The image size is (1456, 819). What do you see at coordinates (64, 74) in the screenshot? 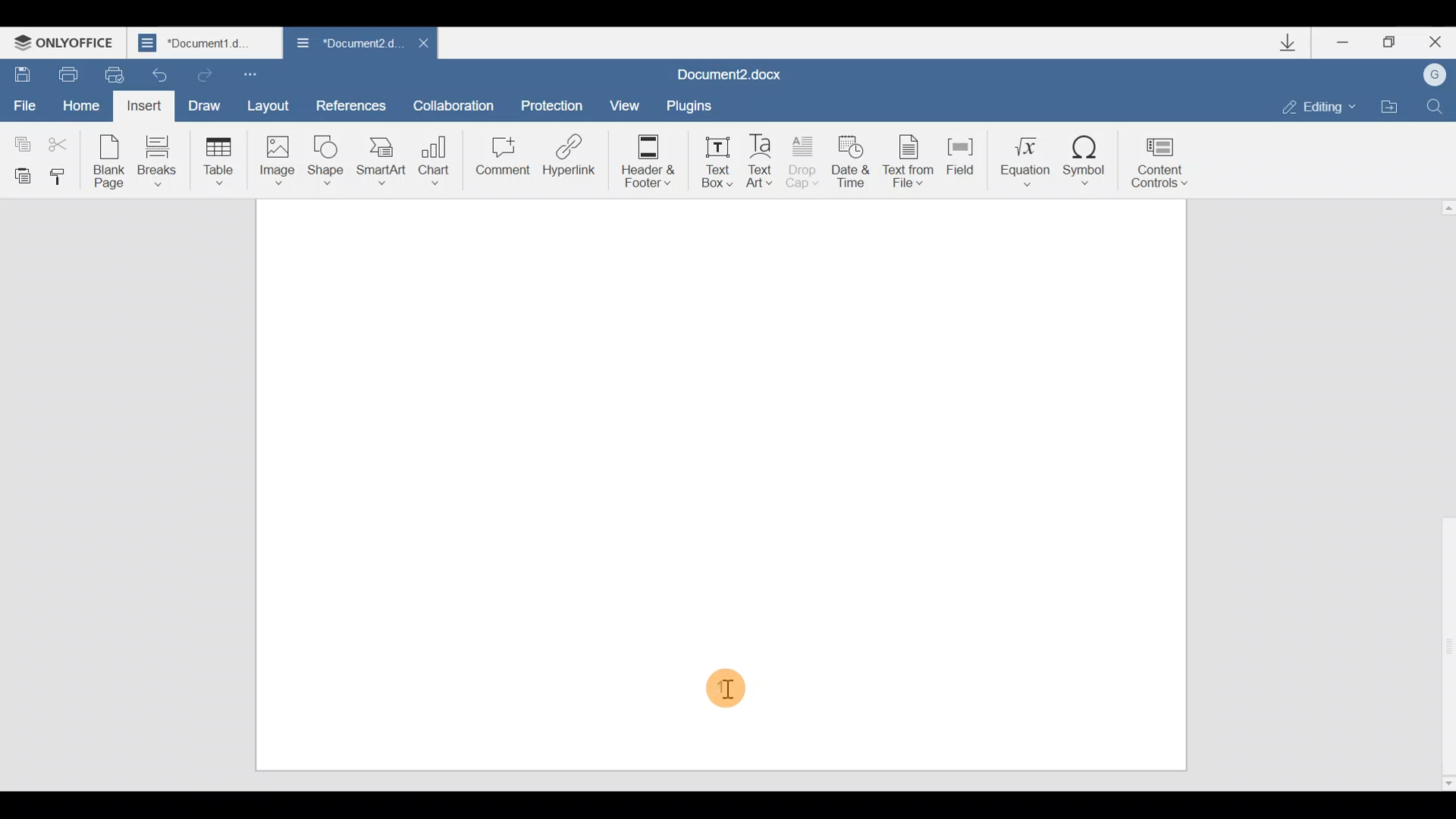
I see `Print file` at bounding box center [64, 74].